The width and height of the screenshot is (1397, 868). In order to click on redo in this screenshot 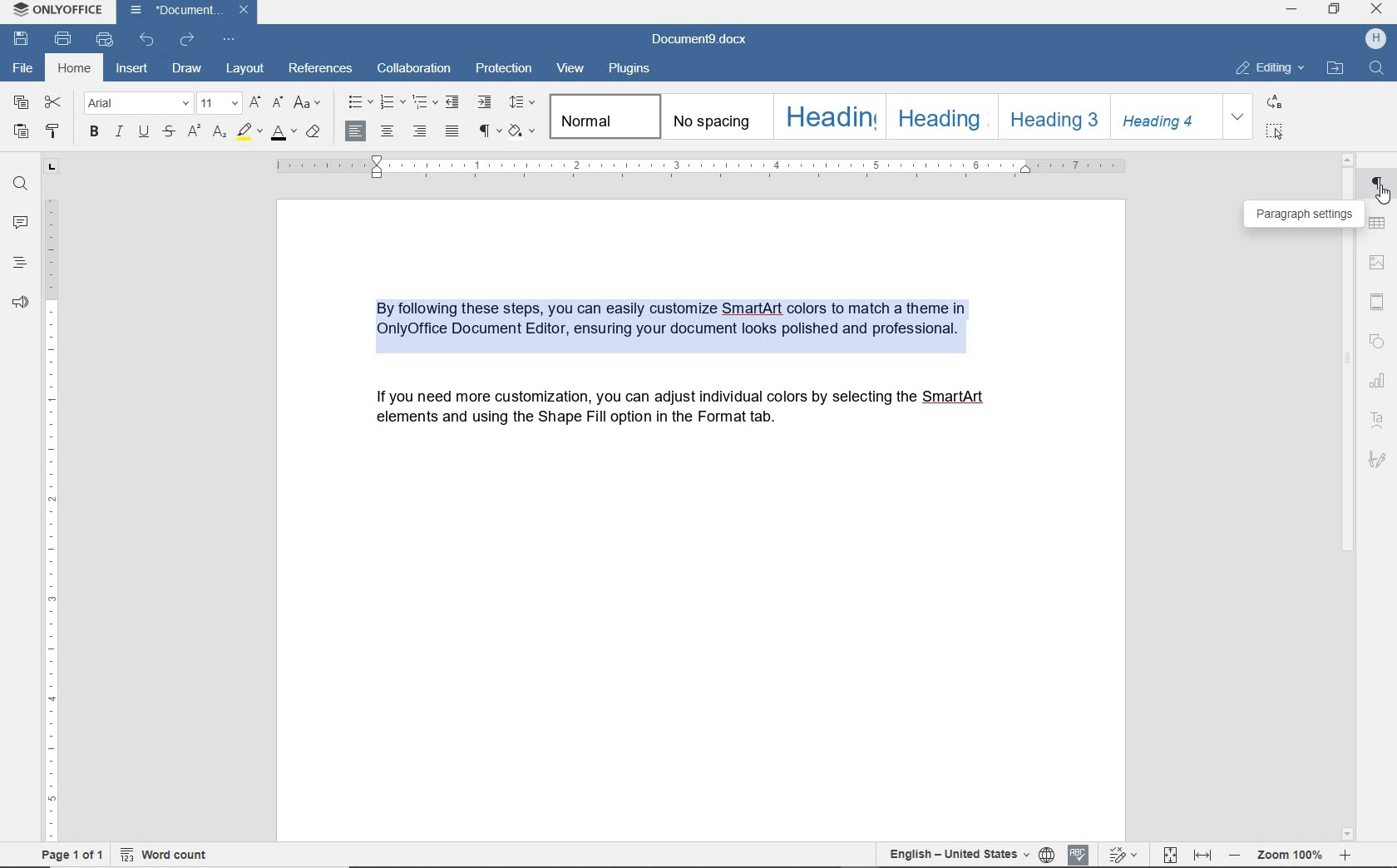, I will do `click(188, 40)`.